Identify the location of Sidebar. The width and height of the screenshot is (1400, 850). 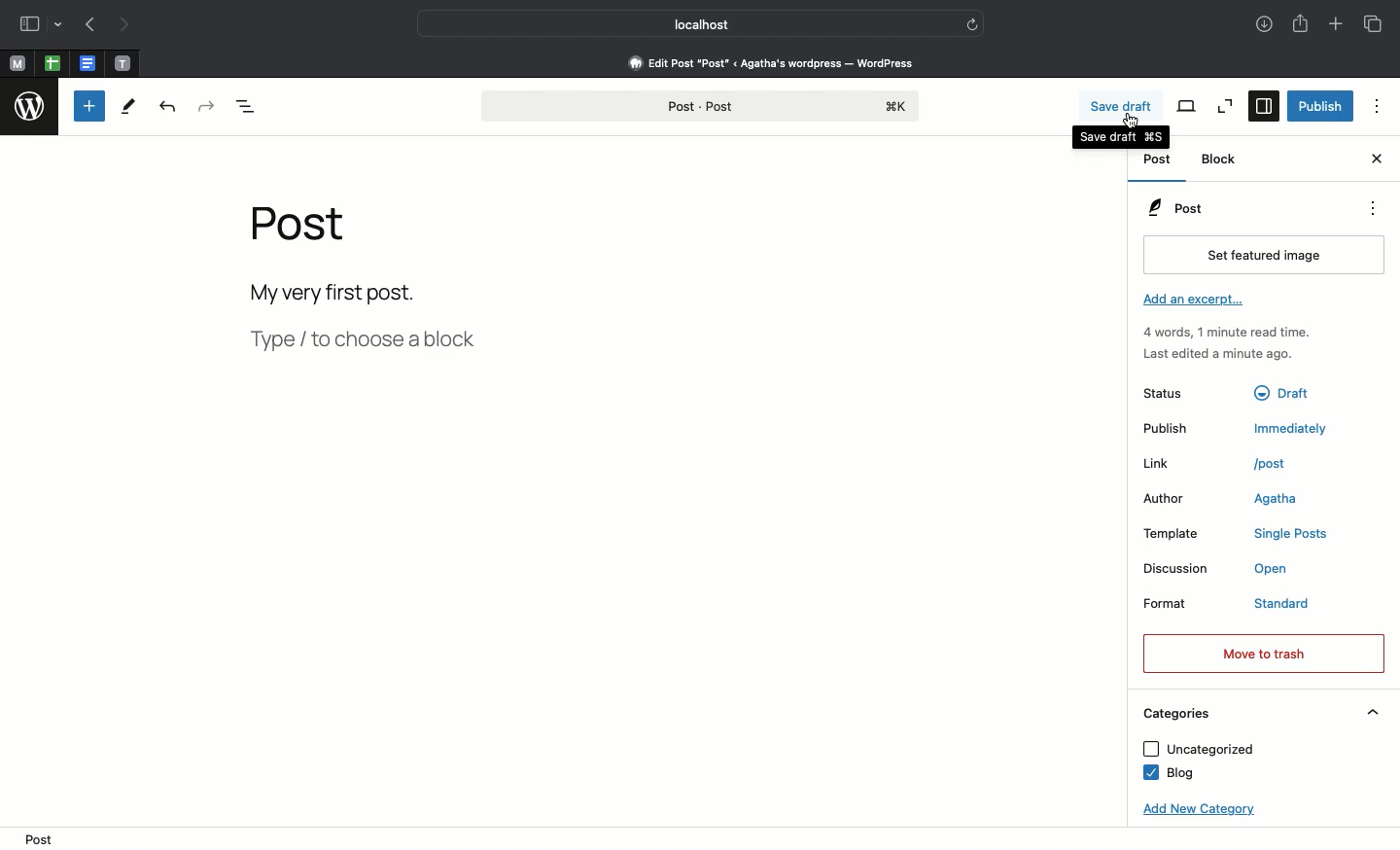
(1264, 106).